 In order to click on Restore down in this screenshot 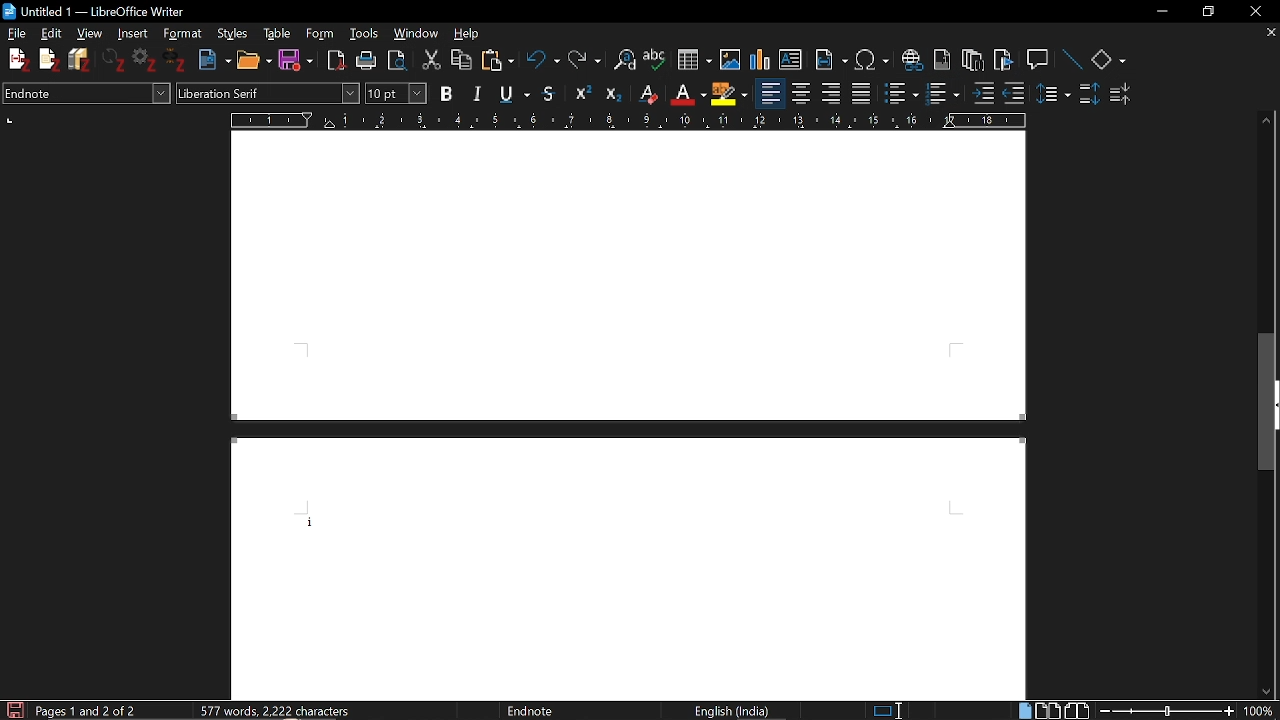, I will do `click(1205, 12)`.